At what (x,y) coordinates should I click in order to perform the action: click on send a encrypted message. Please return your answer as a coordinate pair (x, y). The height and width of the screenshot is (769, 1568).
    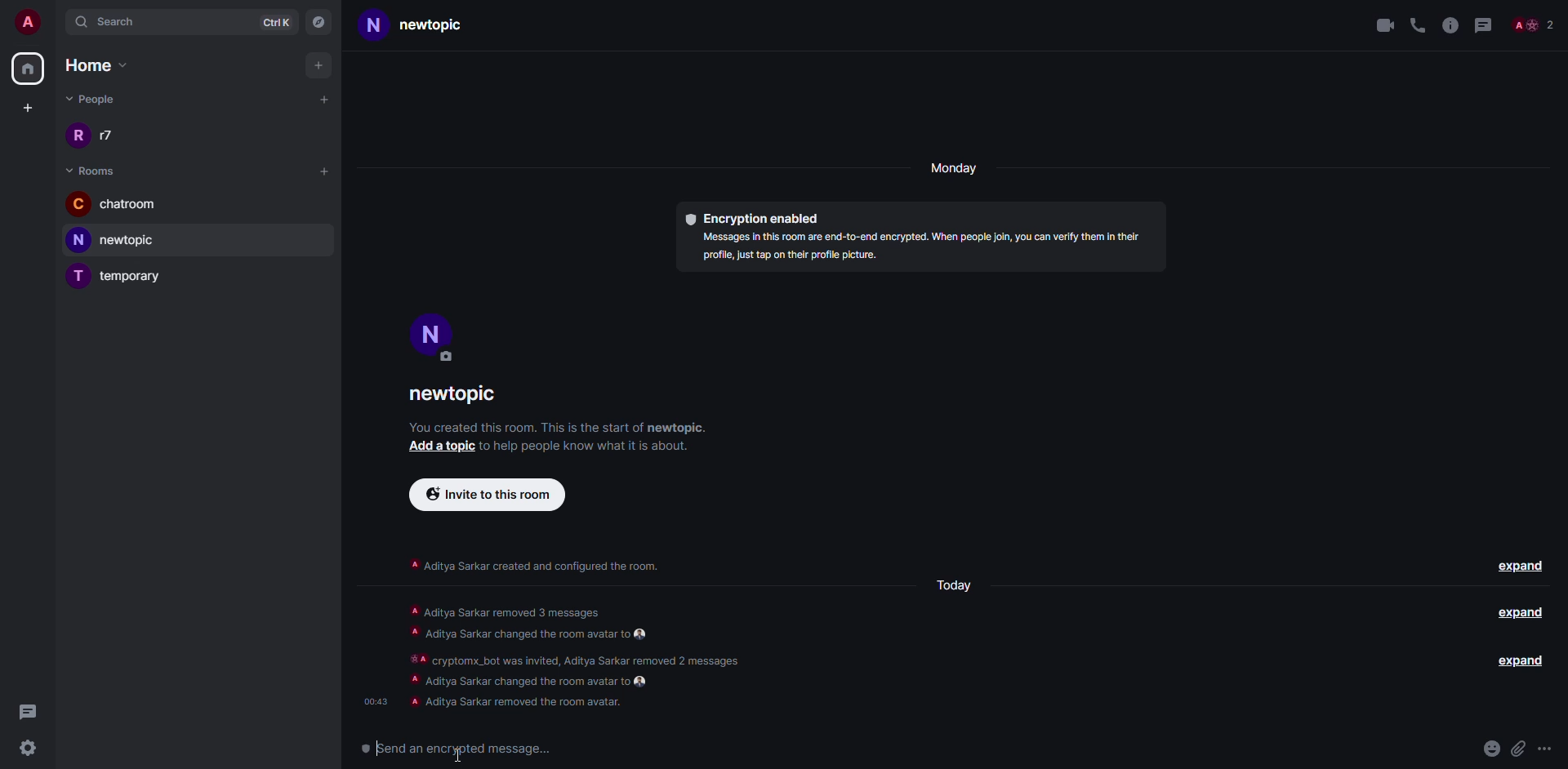
    Looking at the image, I should click on (475, 749).